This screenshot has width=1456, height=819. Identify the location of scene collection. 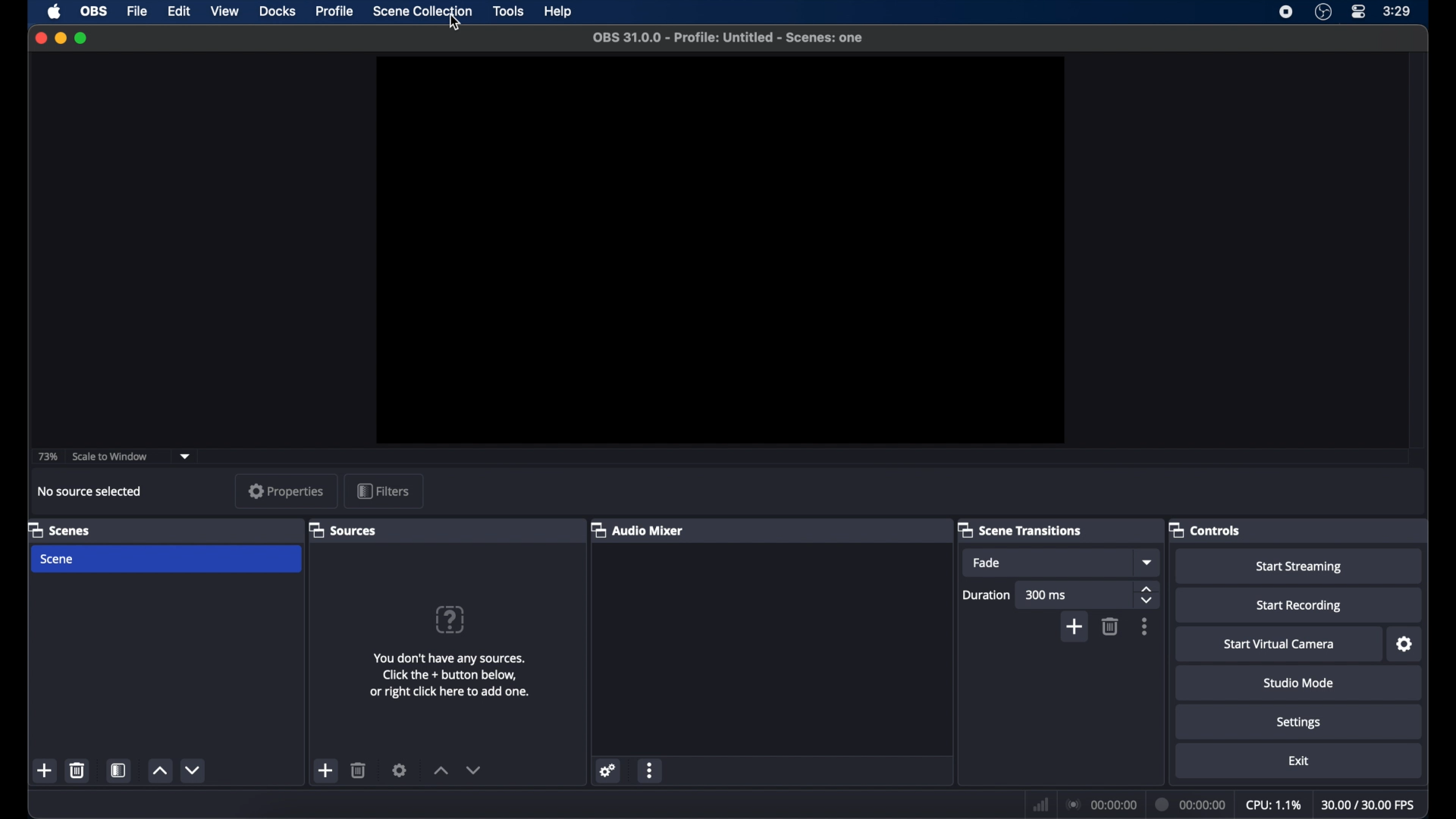
(423, 11).